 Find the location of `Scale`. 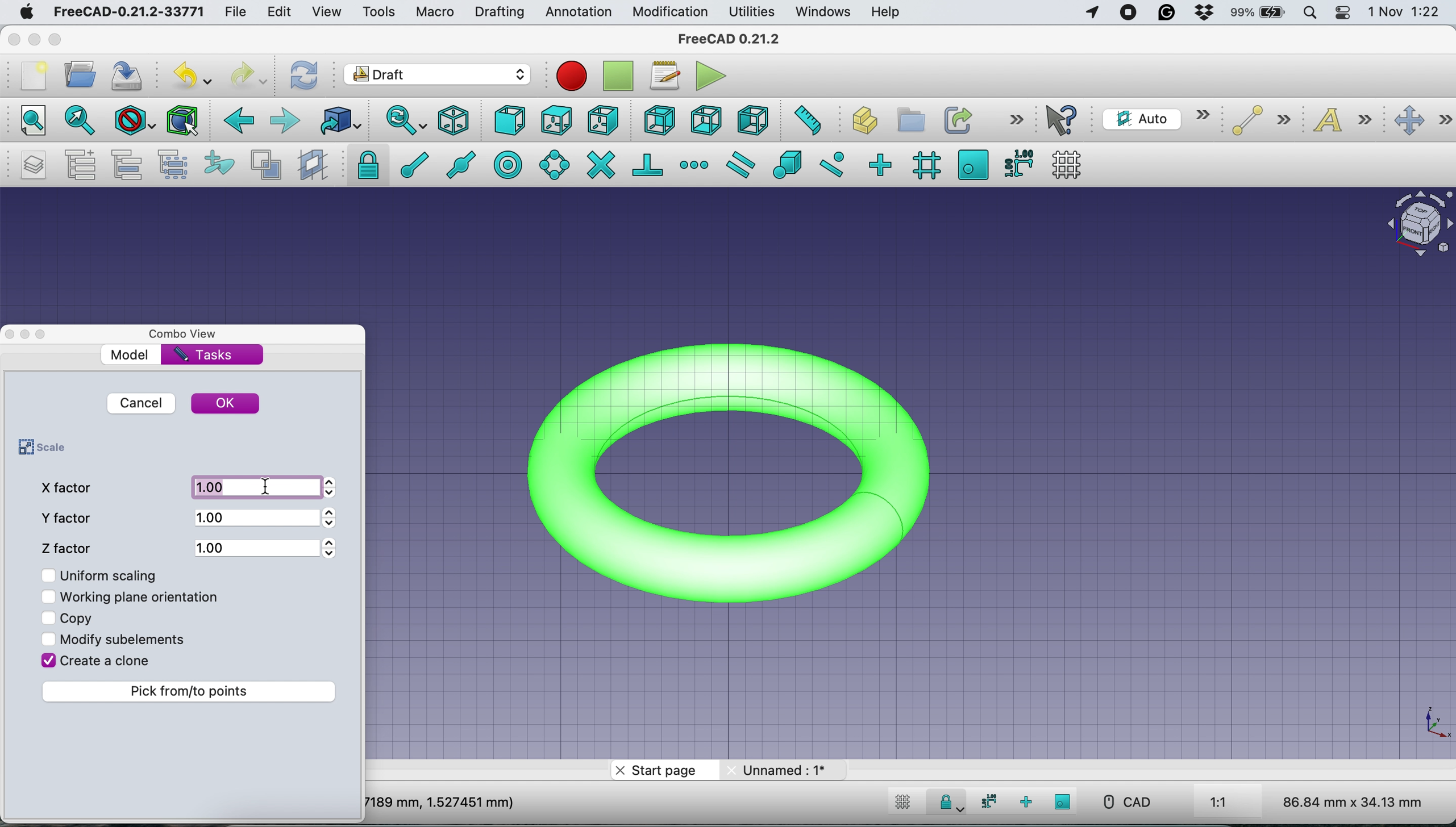

Scale is located at coordinates (1434, 724).